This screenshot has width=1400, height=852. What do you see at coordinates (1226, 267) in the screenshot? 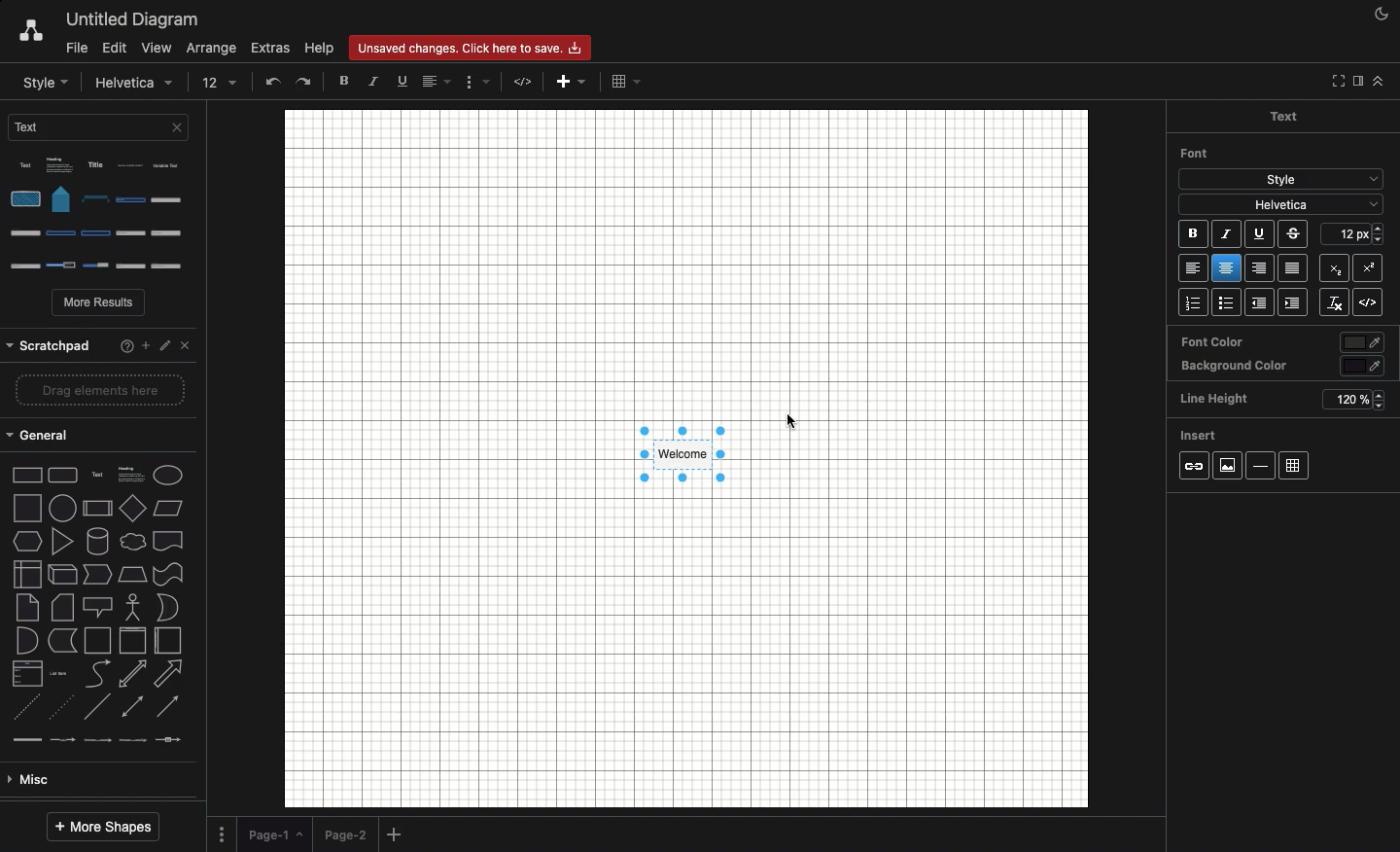
I see `Center aligned` at bounding box center [1226, 267].